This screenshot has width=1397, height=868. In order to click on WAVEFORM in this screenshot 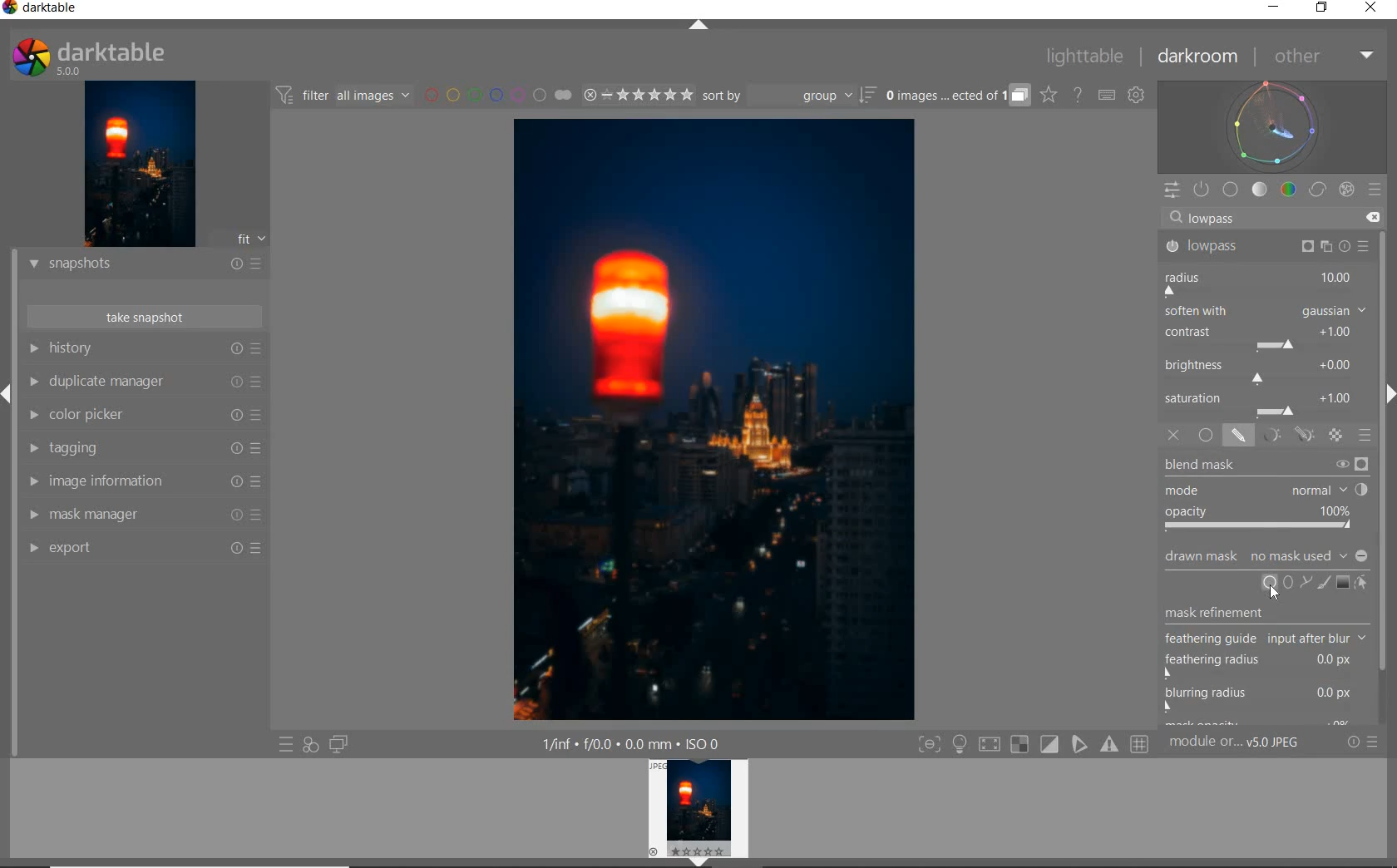, I will do `click(1275, 126)`.